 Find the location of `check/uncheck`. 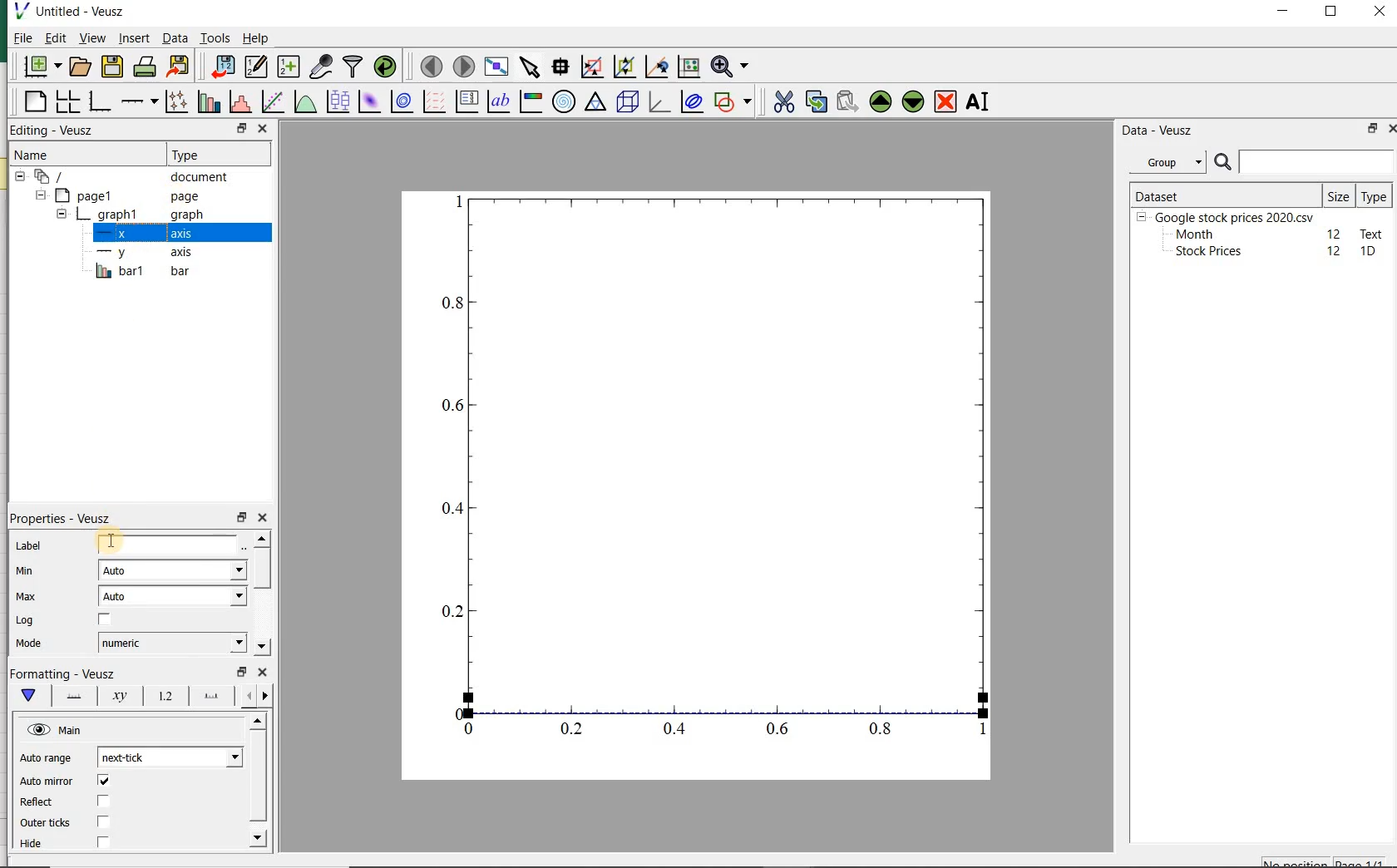

check/uncheck is located at coordinates (102, 801).